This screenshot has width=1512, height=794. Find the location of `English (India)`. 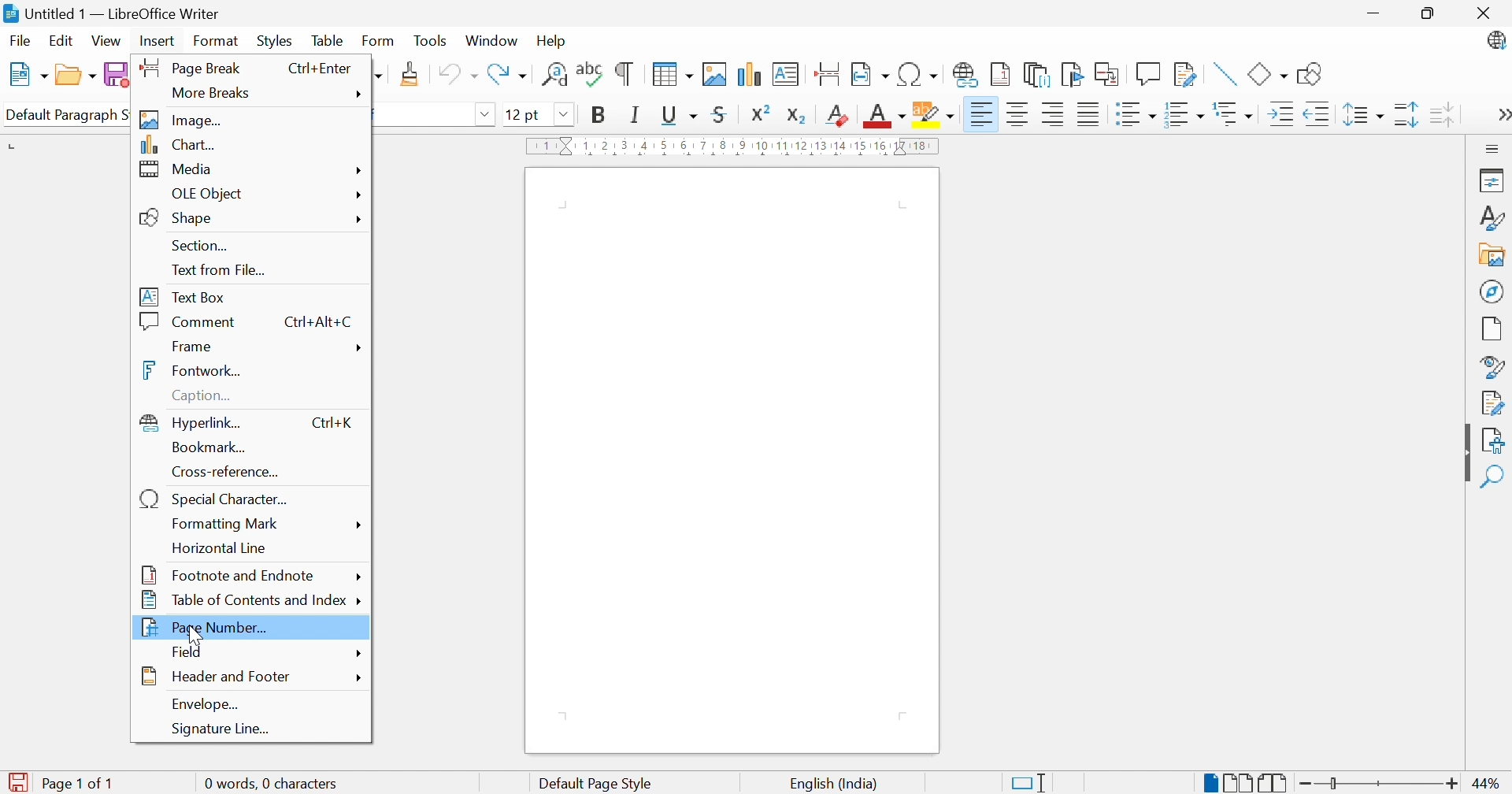

English (India) is located at coordinates (832, 785).